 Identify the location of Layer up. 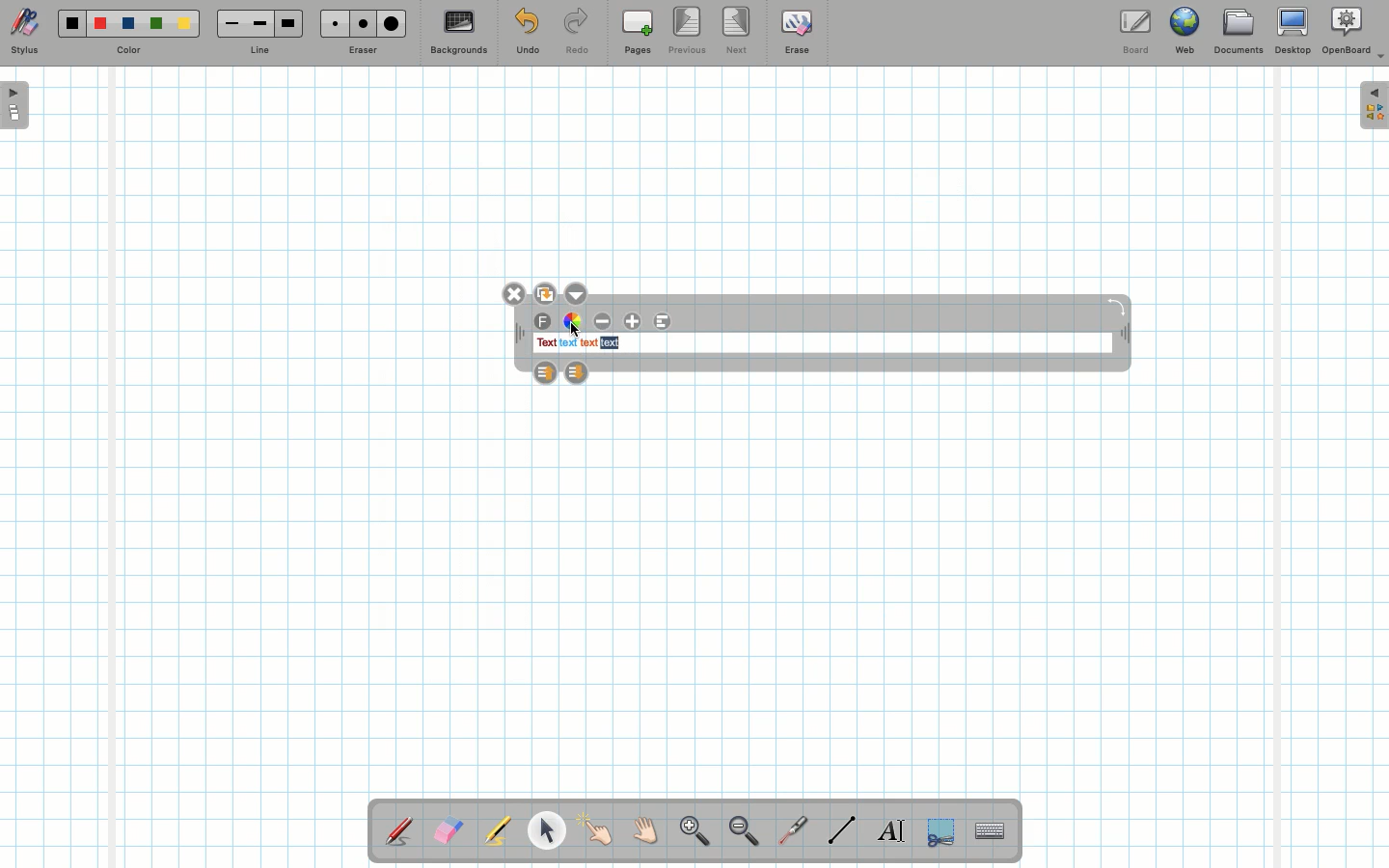
(543, 371).